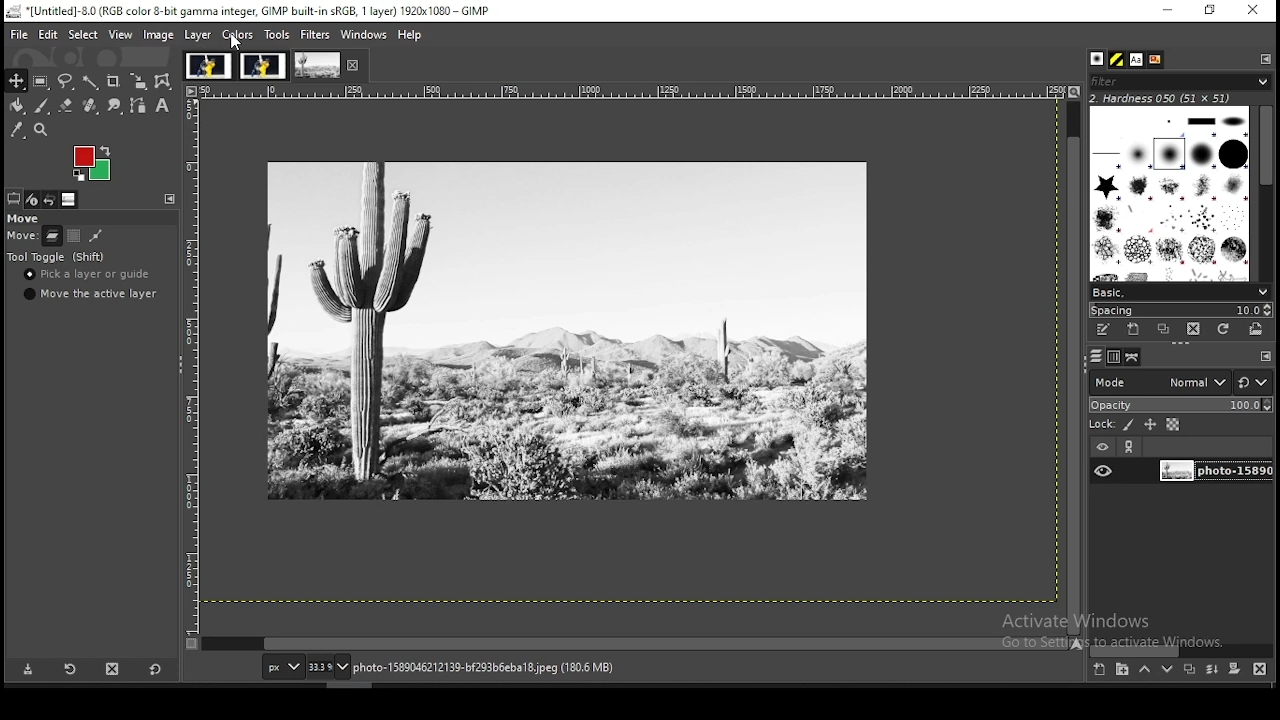  I want to click on layer, so click(1213, 472).